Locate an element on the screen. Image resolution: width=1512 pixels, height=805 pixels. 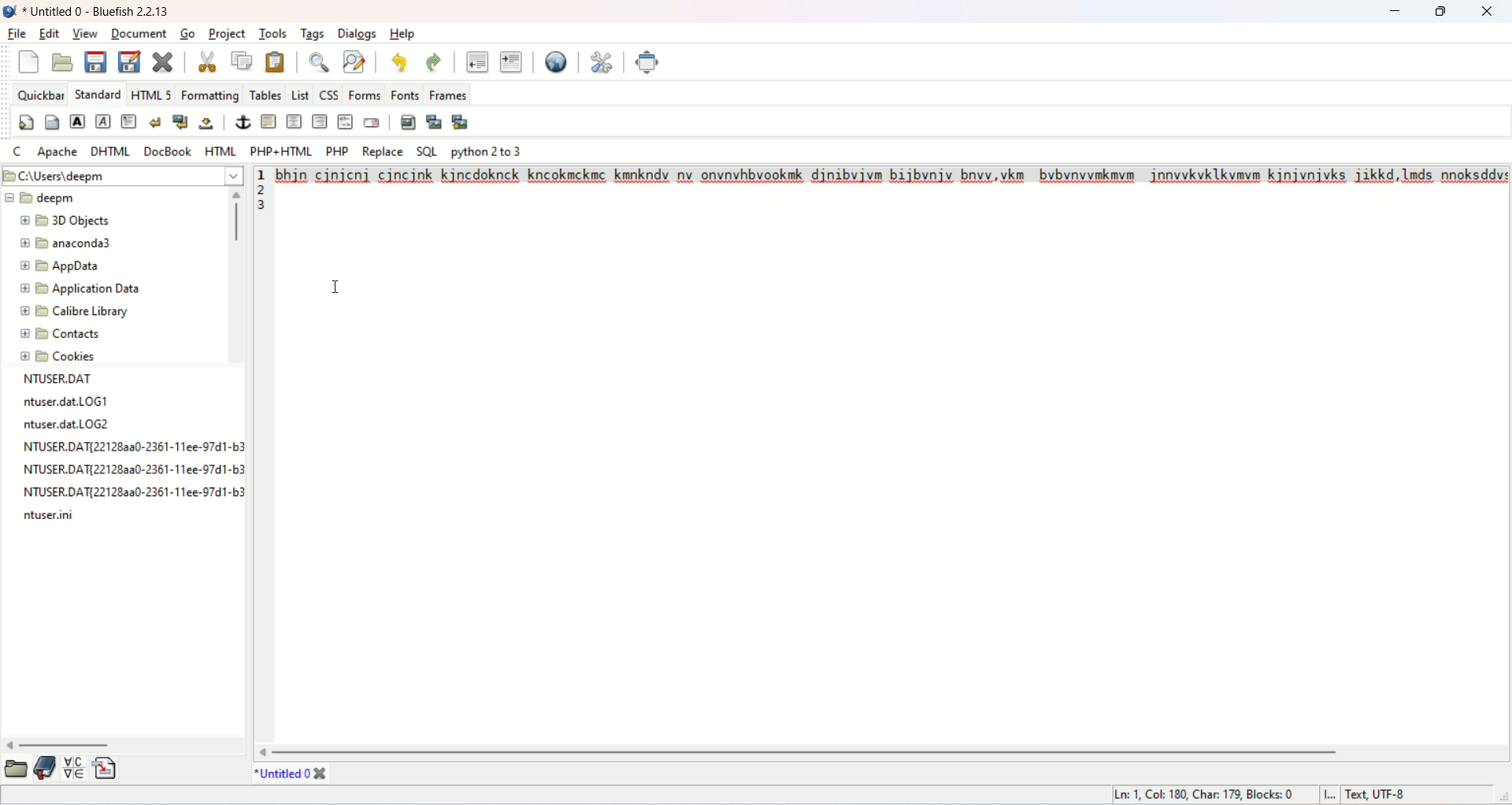
location is located at coordinates (125, 176).